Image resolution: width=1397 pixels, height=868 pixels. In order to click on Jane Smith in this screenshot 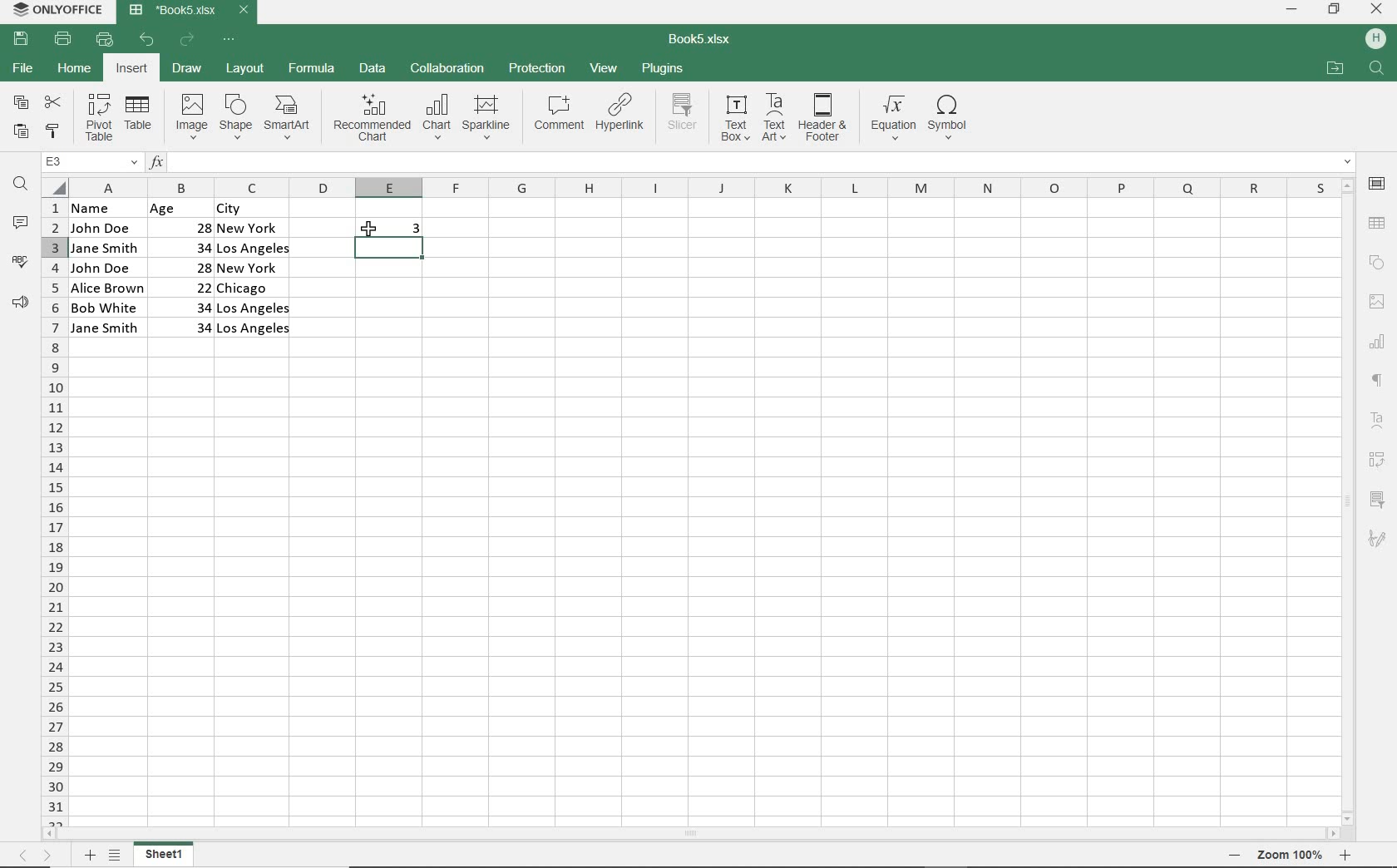, I will do `click(106, 328)`.